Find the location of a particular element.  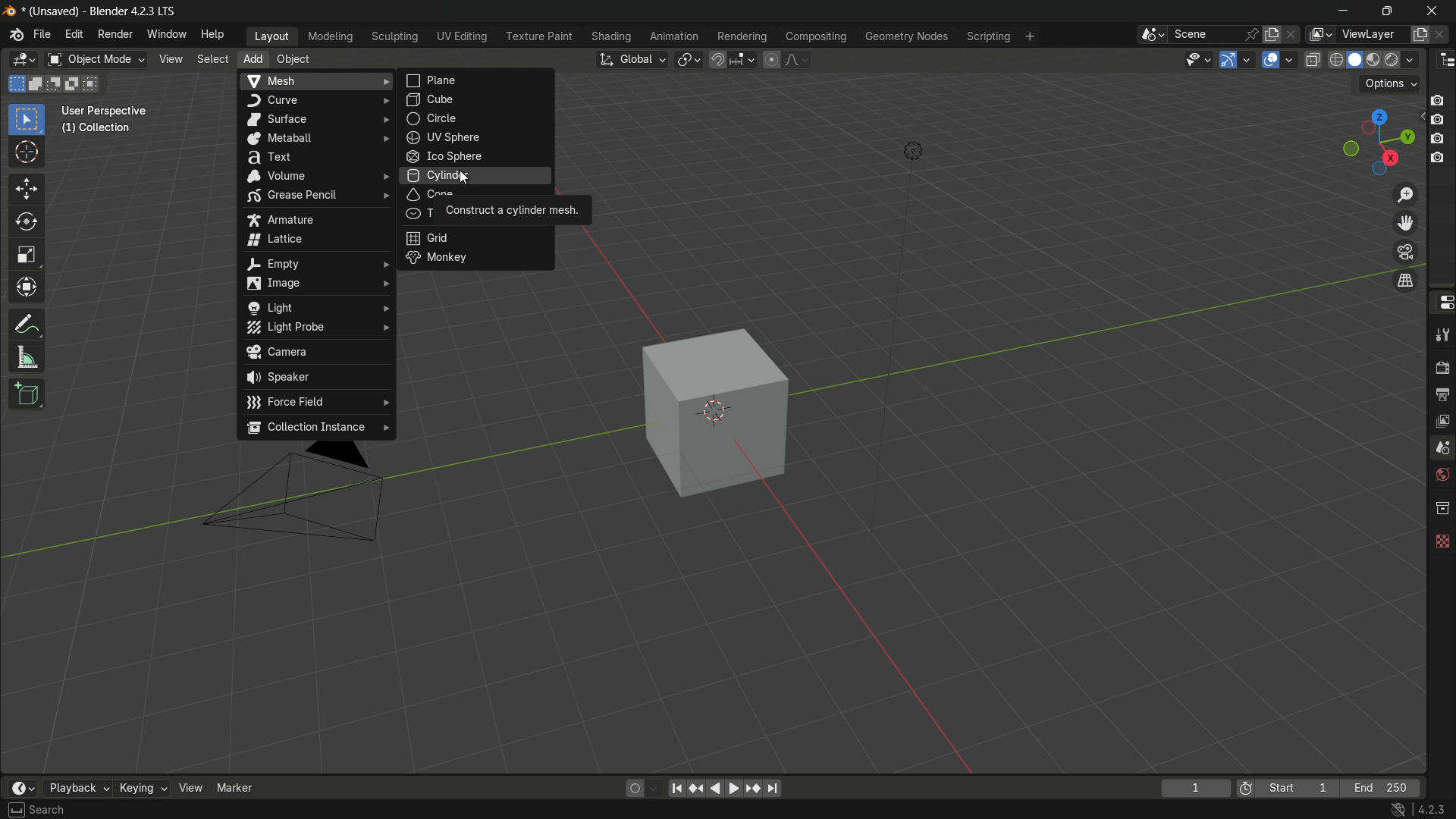

cursor is located at coordinates (463, 176).